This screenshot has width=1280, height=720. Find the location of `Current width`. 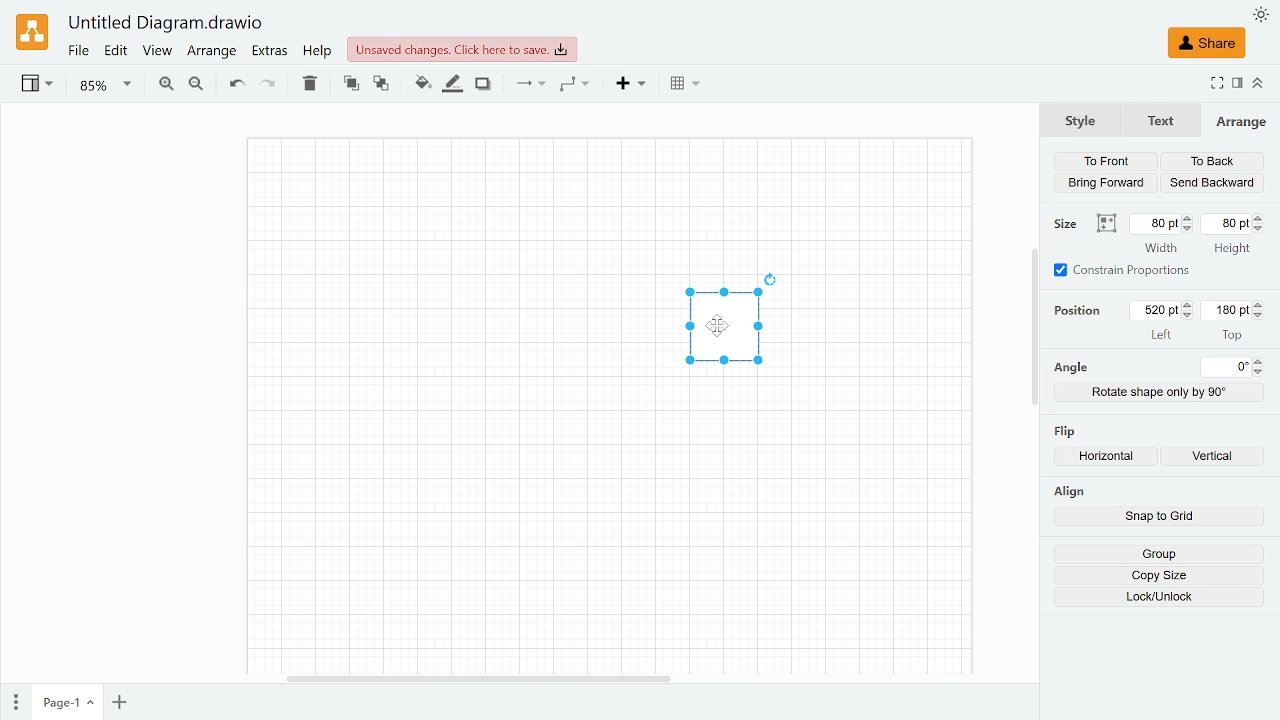

Current width is located at coordinates (1155, 224).